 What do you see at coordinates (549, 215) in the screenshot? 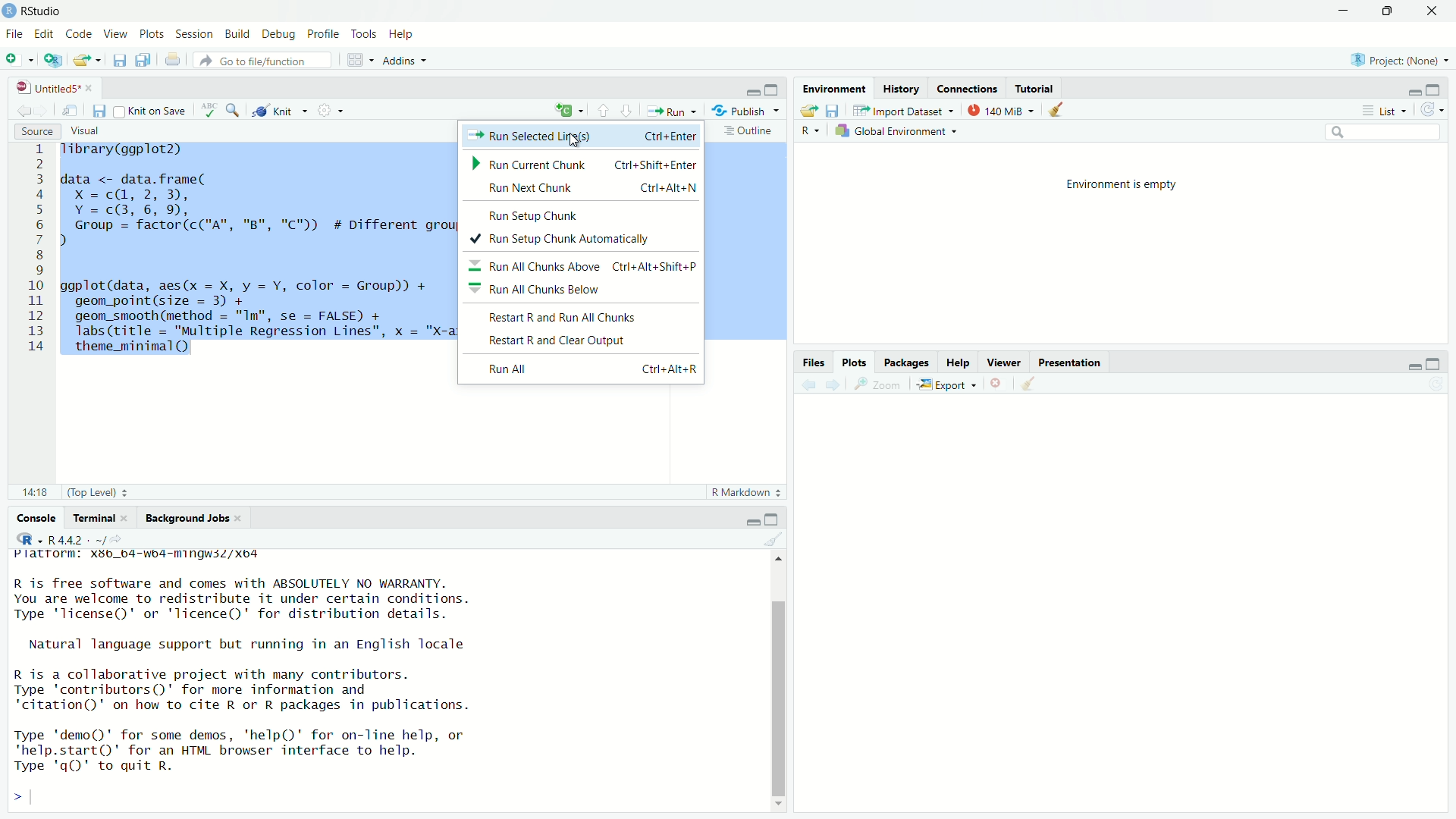
I see `Run <atiin Chink` at bounding box center [549, 215].